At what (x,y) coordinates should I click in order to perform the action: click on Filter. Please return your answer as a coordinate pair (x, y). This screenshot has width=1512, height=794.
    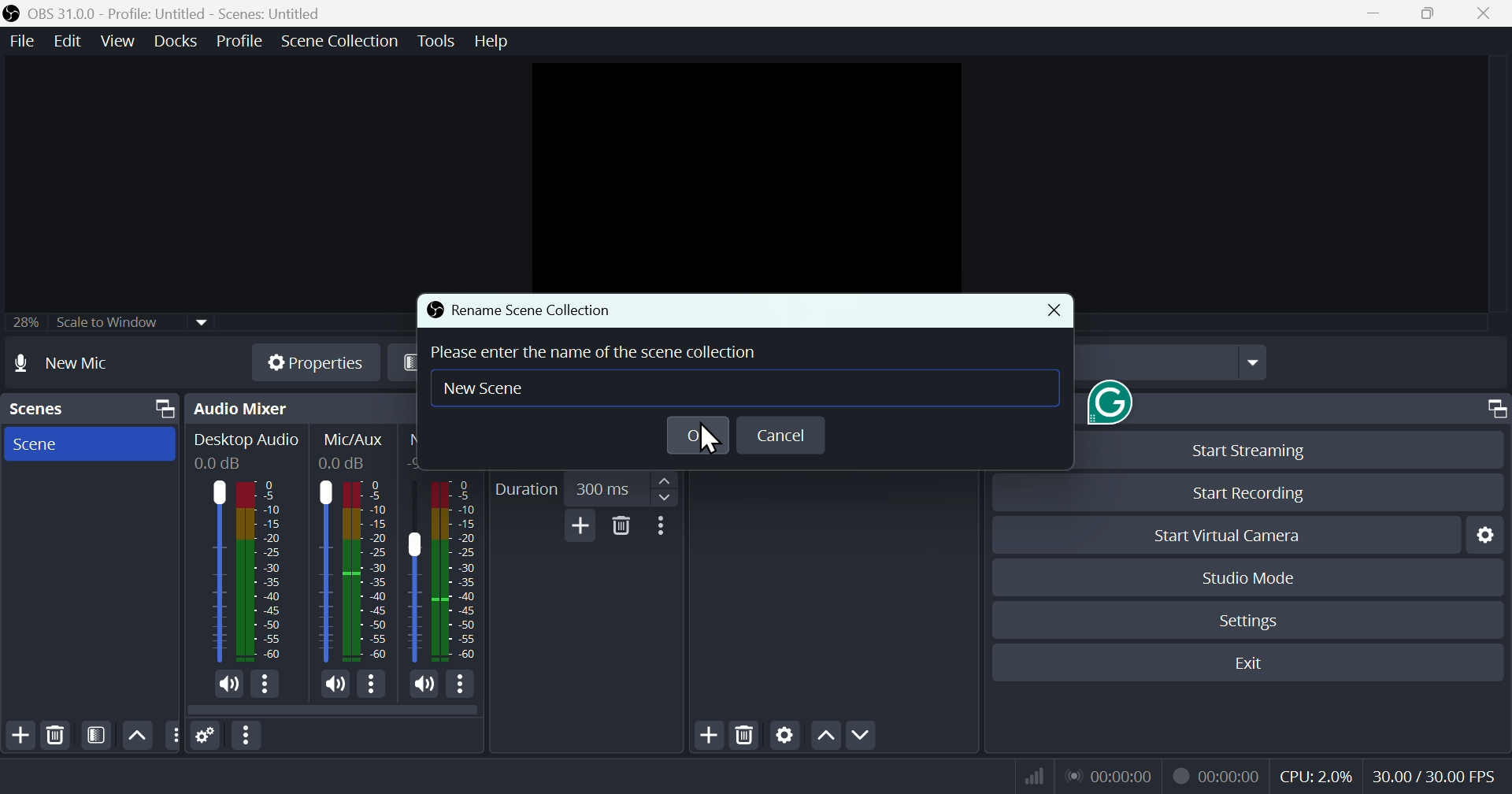
    Looking at the image, I should click on (98, 736).